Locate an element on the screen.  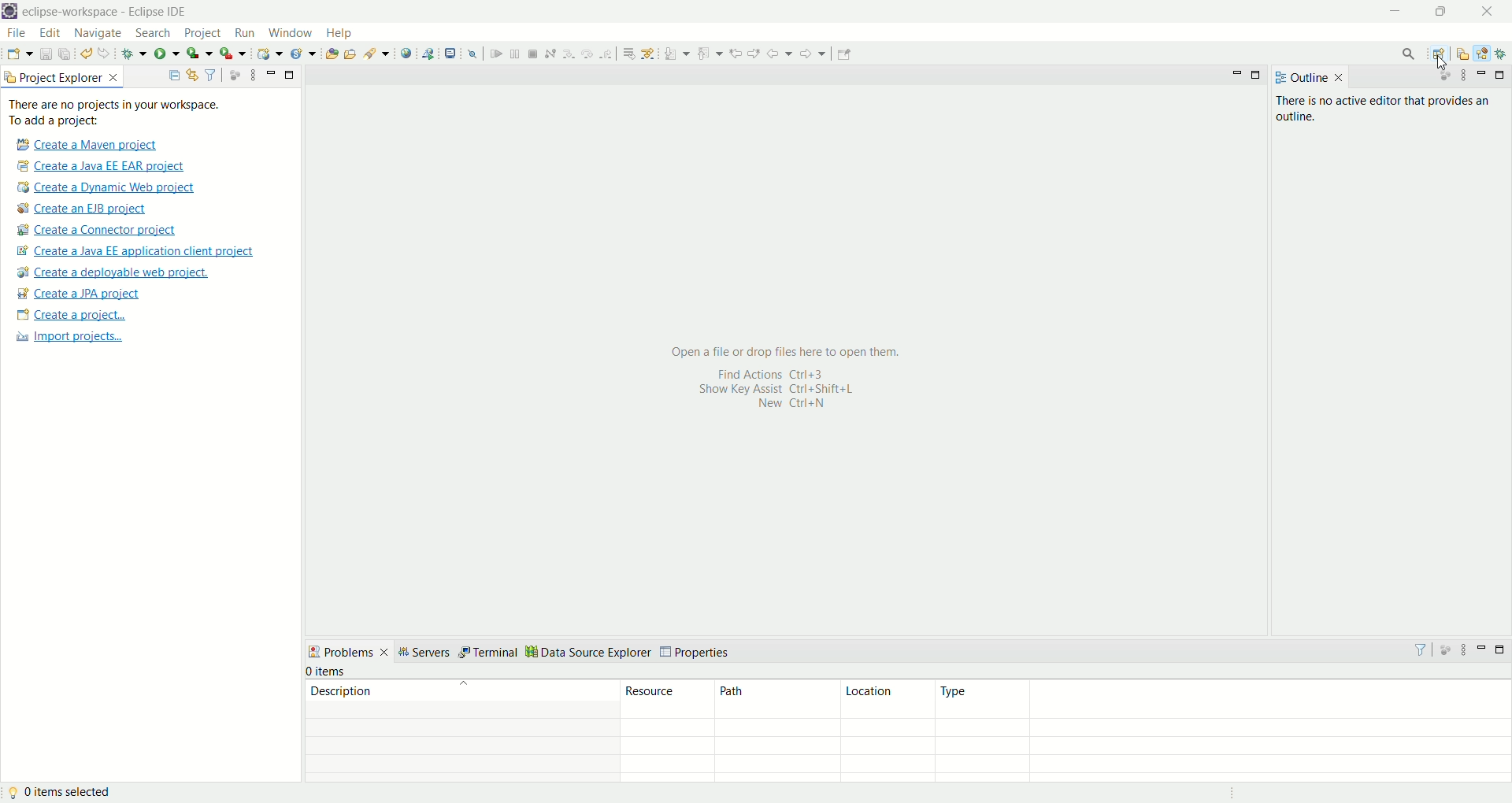
import projects is located at coordinates (70, 337).